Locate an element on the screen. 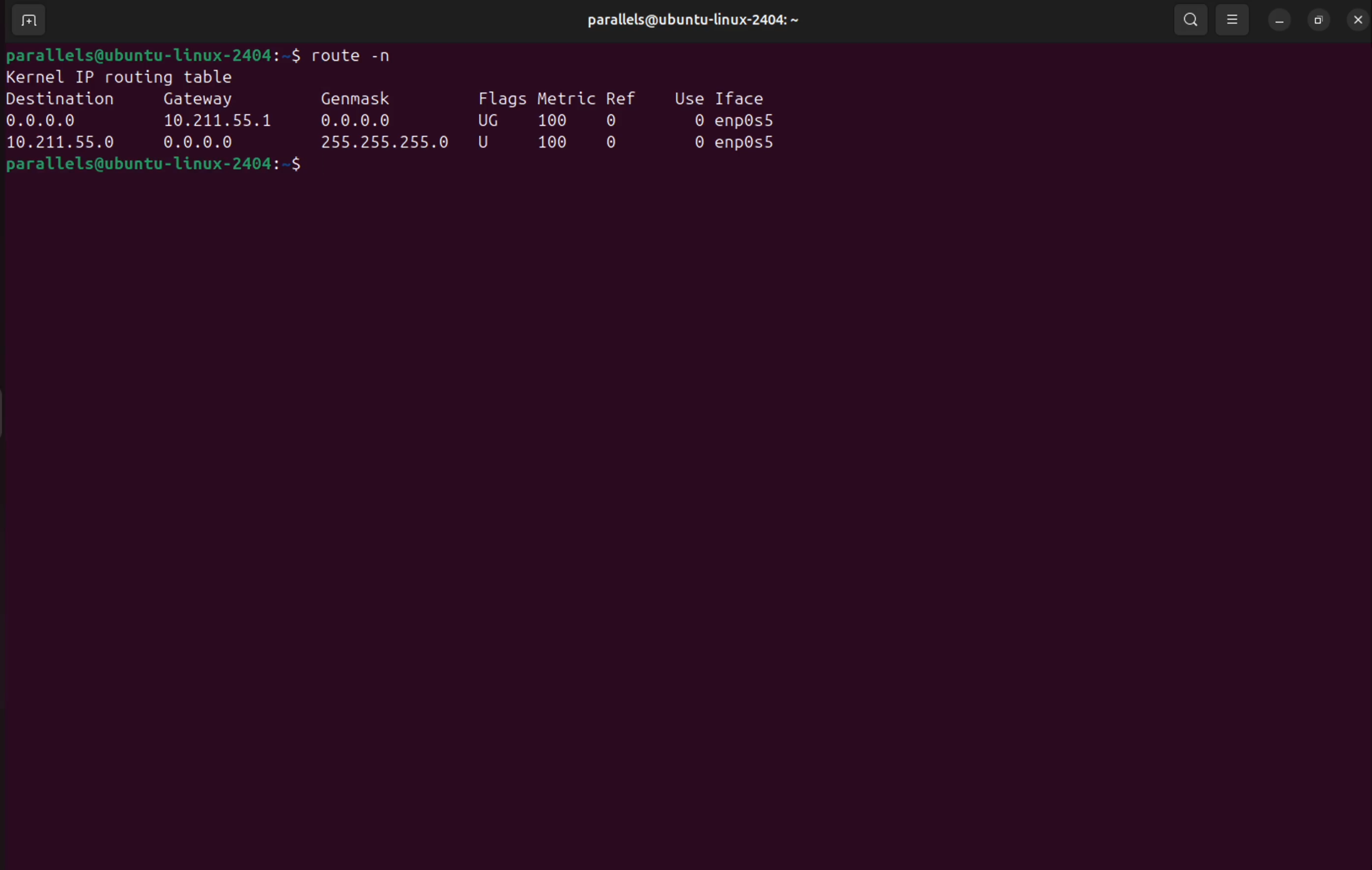 The width and height of the screenshot is (1372, 870). 0.0.0.0 is located at coordinates (357, 119).